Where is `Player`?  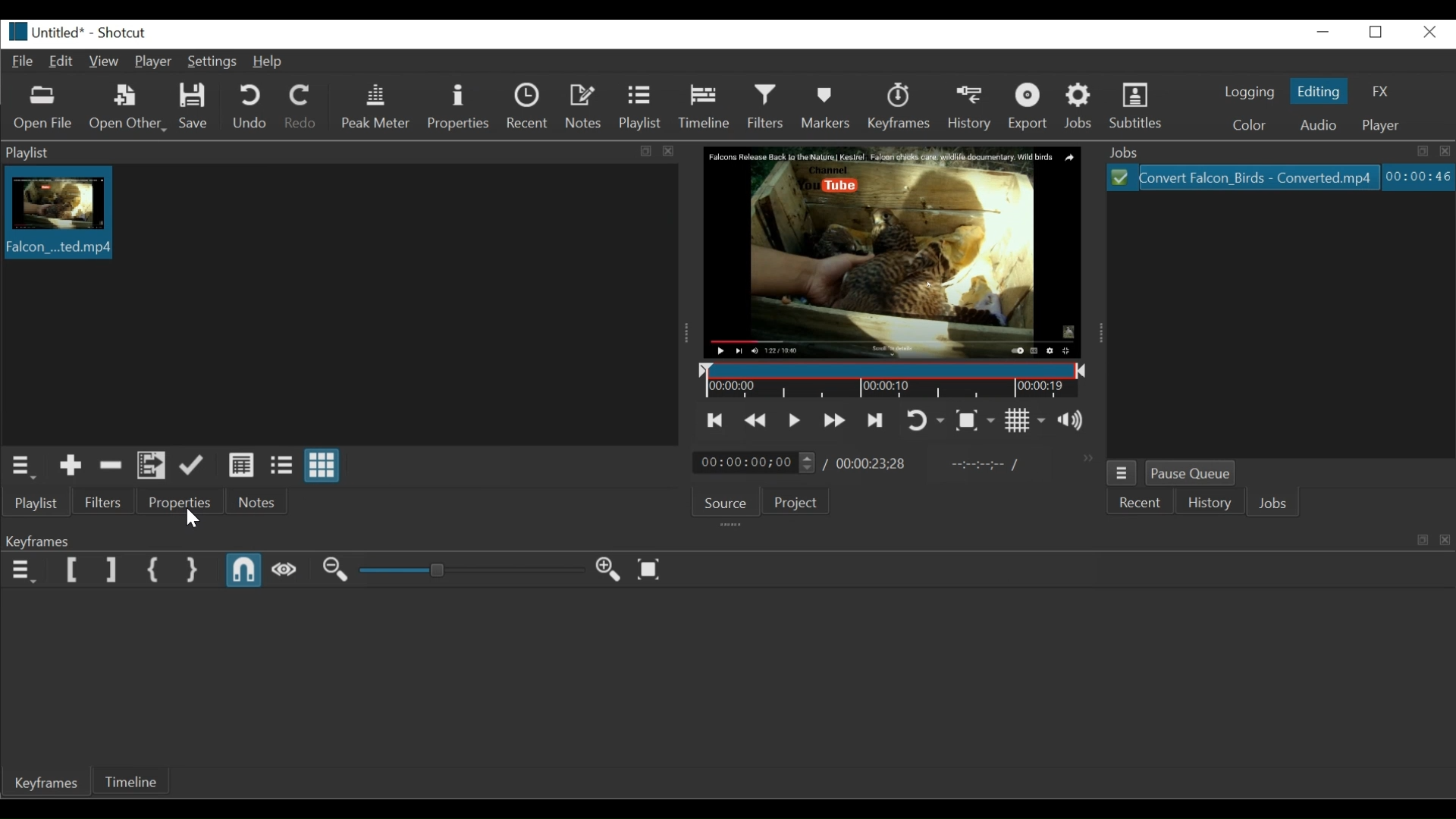
Player is located at coordinates (153, 61).